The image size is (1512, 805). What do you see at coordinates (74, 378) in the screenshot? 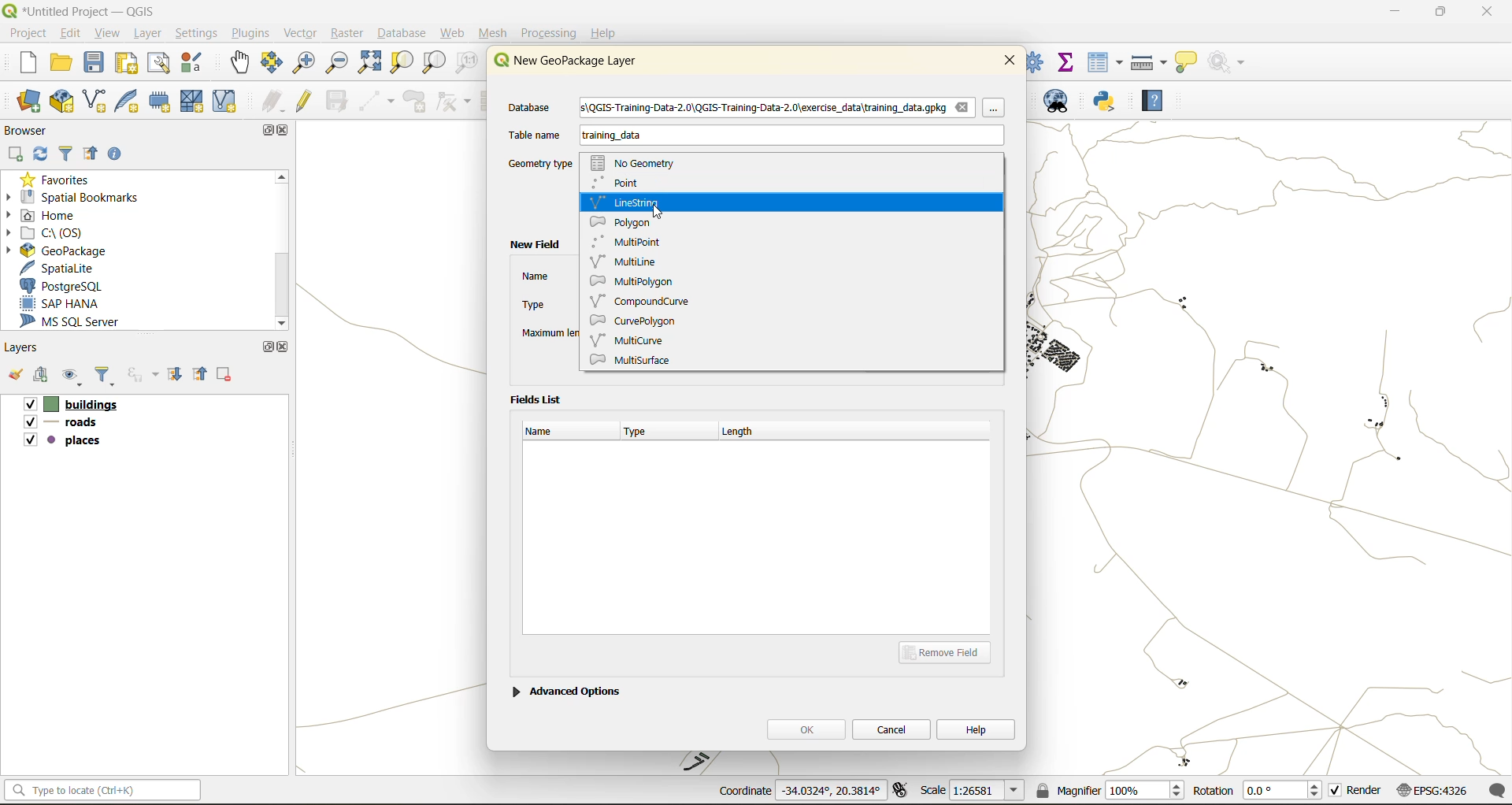
I see `manage map` at bounding box center [74, 378].